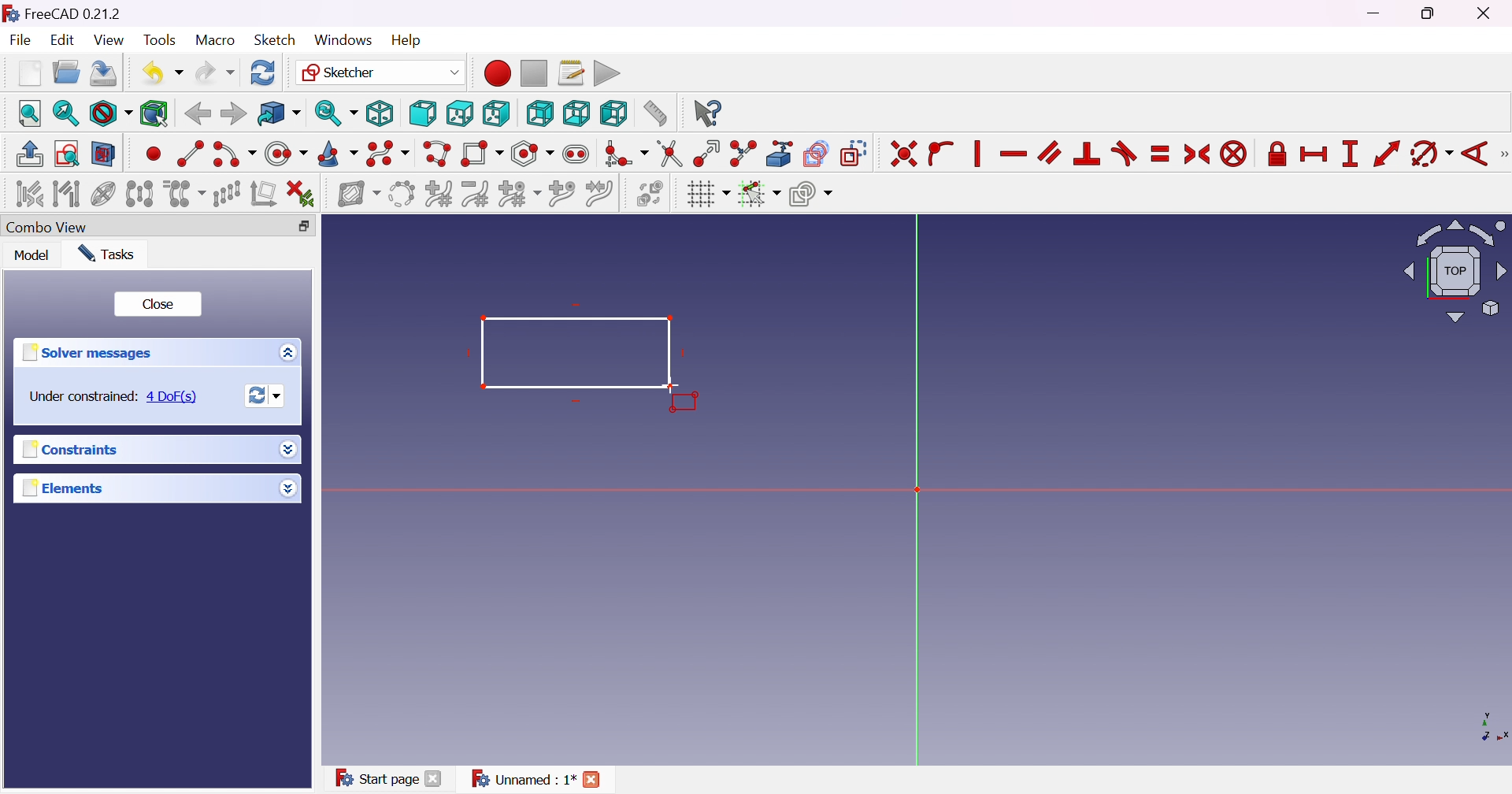 The image size is (1512, 794). I want to click on Elements, so click(64, 488).